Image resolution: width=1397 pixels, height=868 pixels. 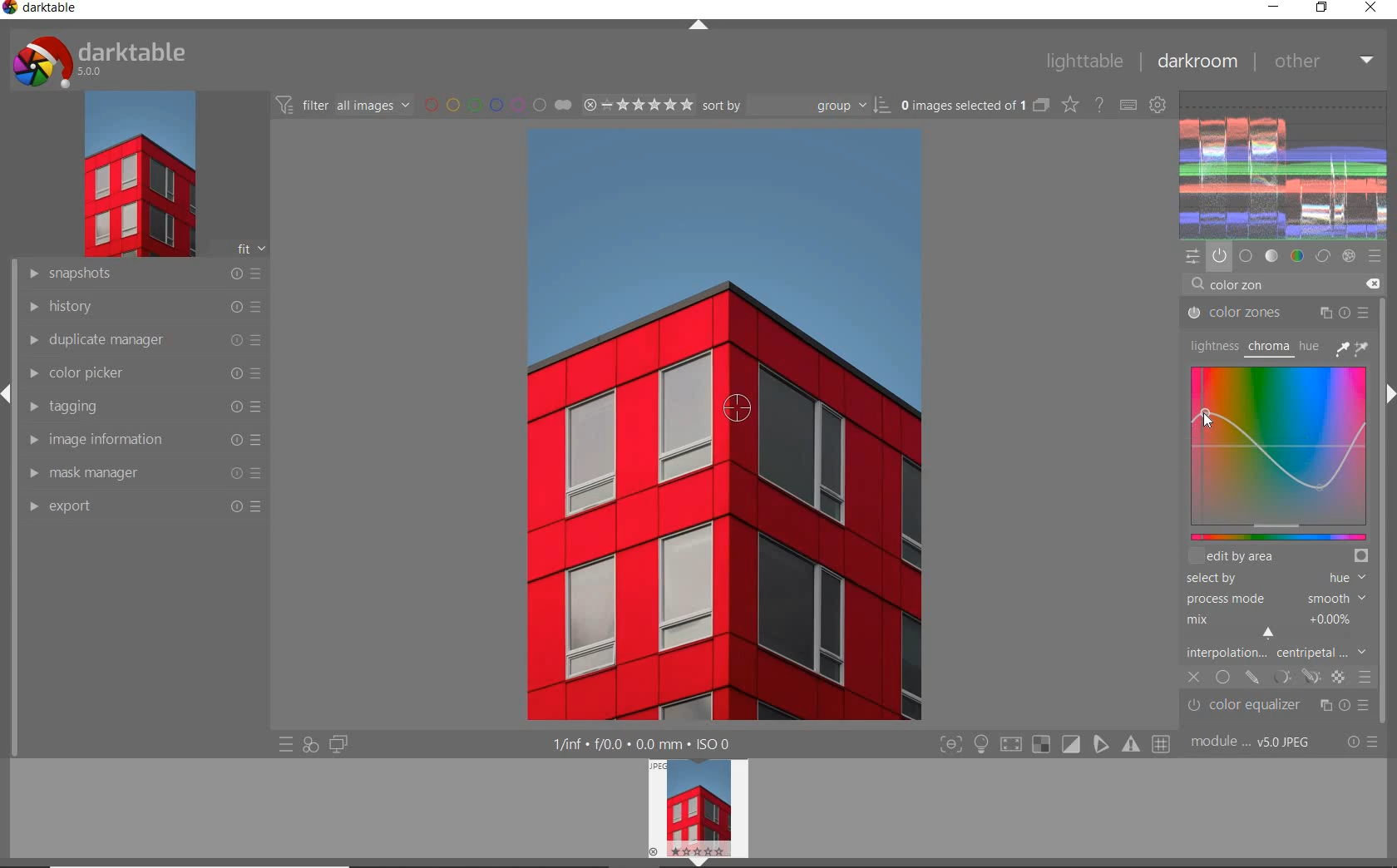 I want to click on tagging, so click(x=141, y=407).